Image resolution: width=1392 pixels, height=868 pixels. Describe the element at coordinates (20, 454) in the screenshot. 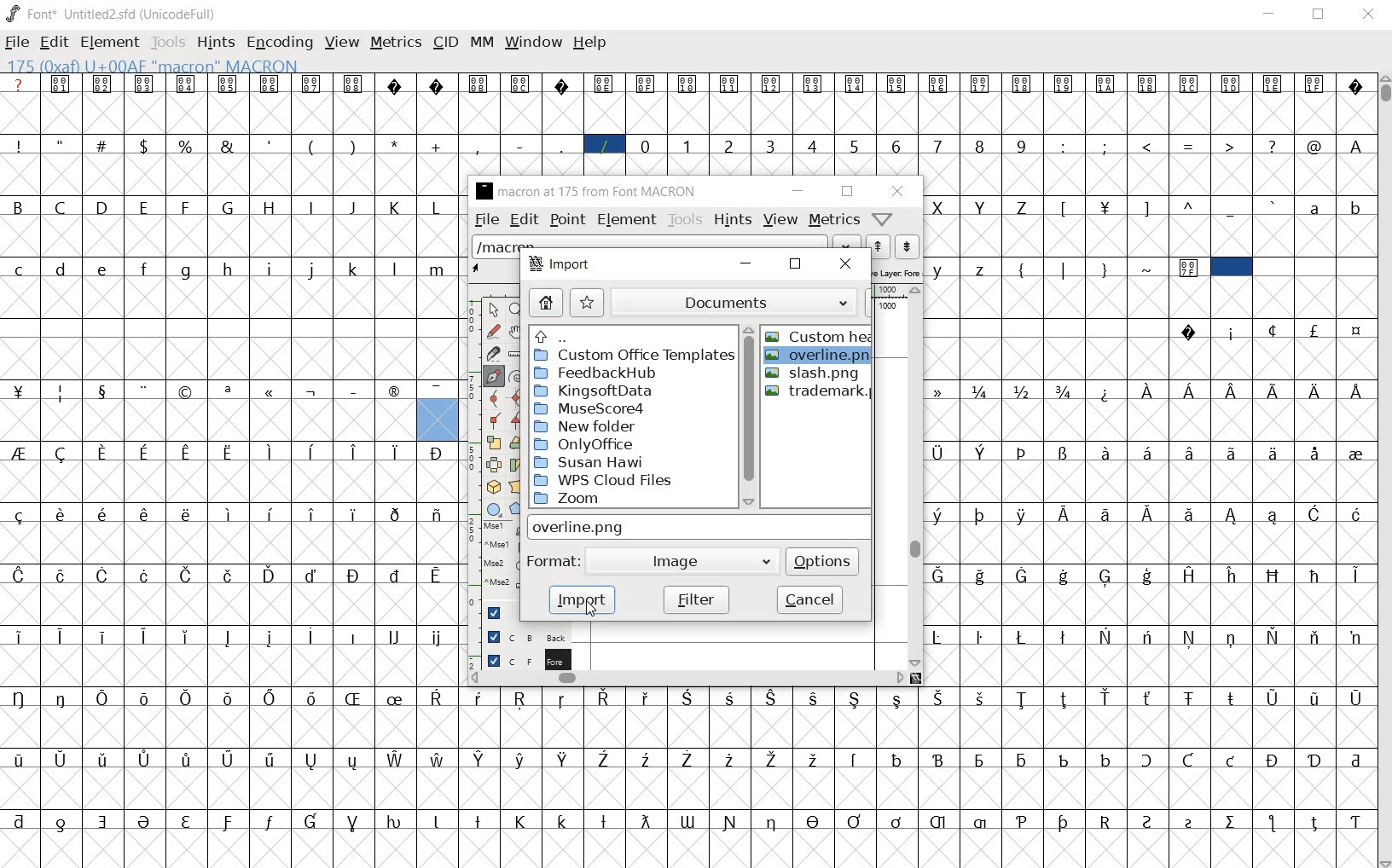

I see `Symbol` at that location.